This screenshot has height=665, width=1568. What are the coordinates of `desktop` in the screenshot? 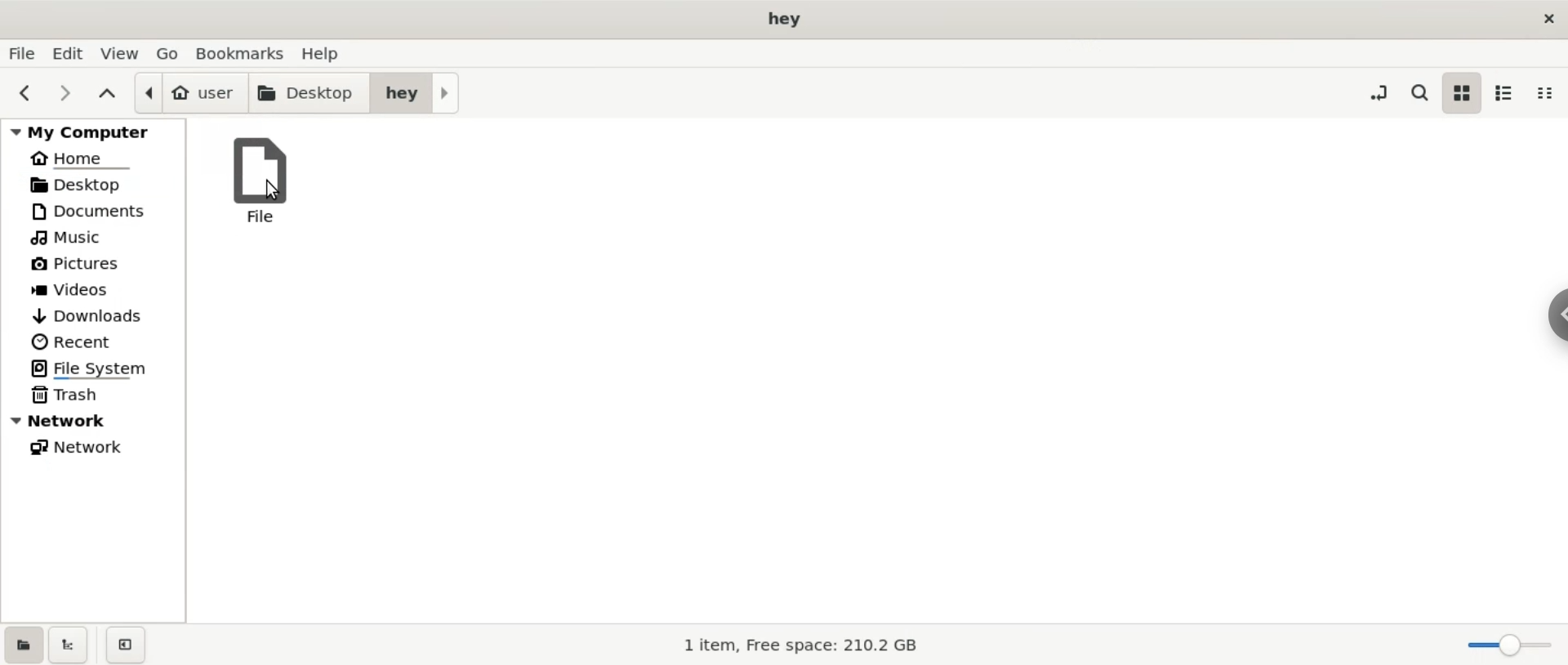 It's located at (304, 93).